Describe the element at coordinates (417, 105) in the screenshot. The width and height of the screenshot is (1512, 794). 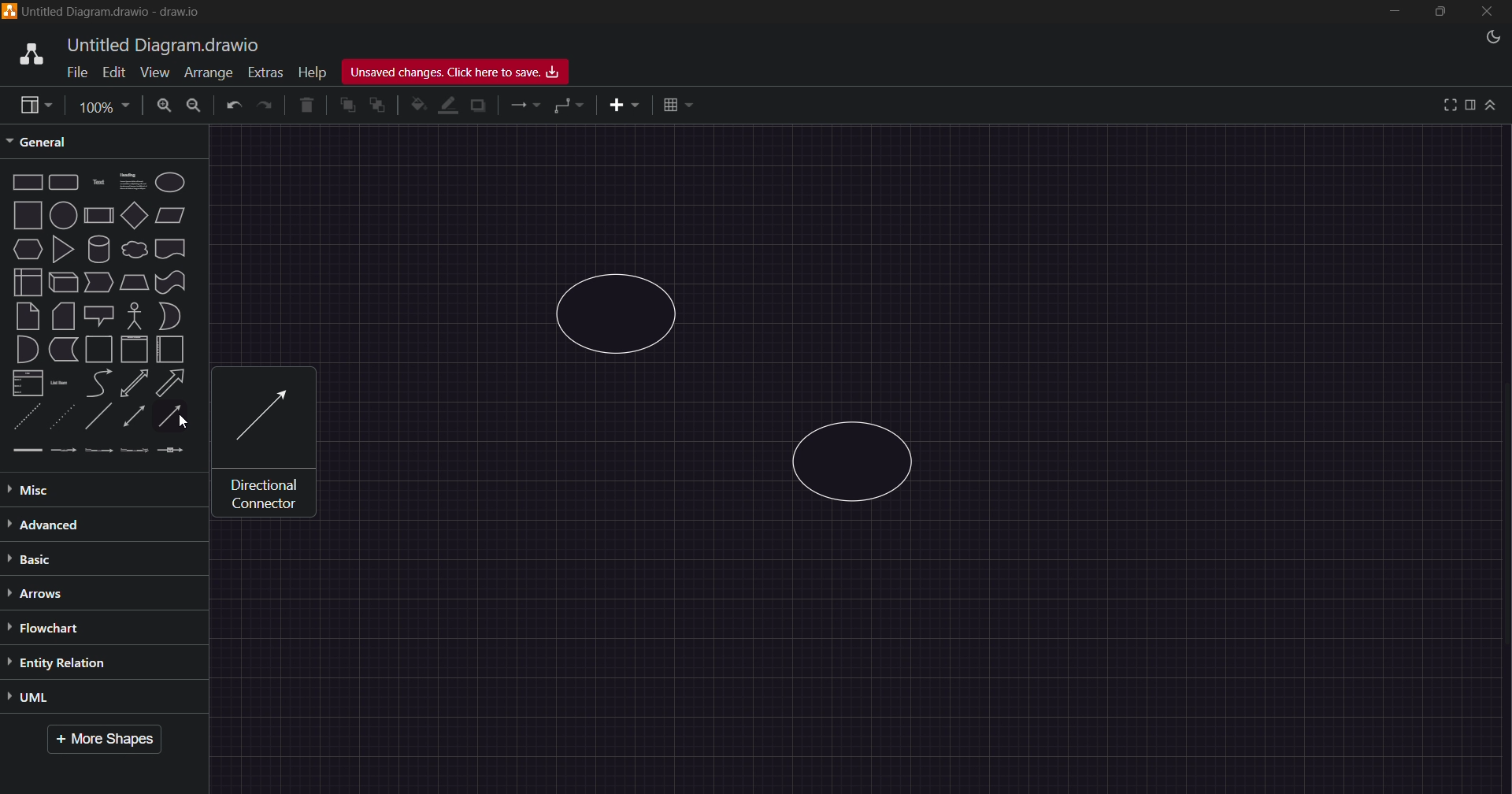
I see `fill color` at that location.